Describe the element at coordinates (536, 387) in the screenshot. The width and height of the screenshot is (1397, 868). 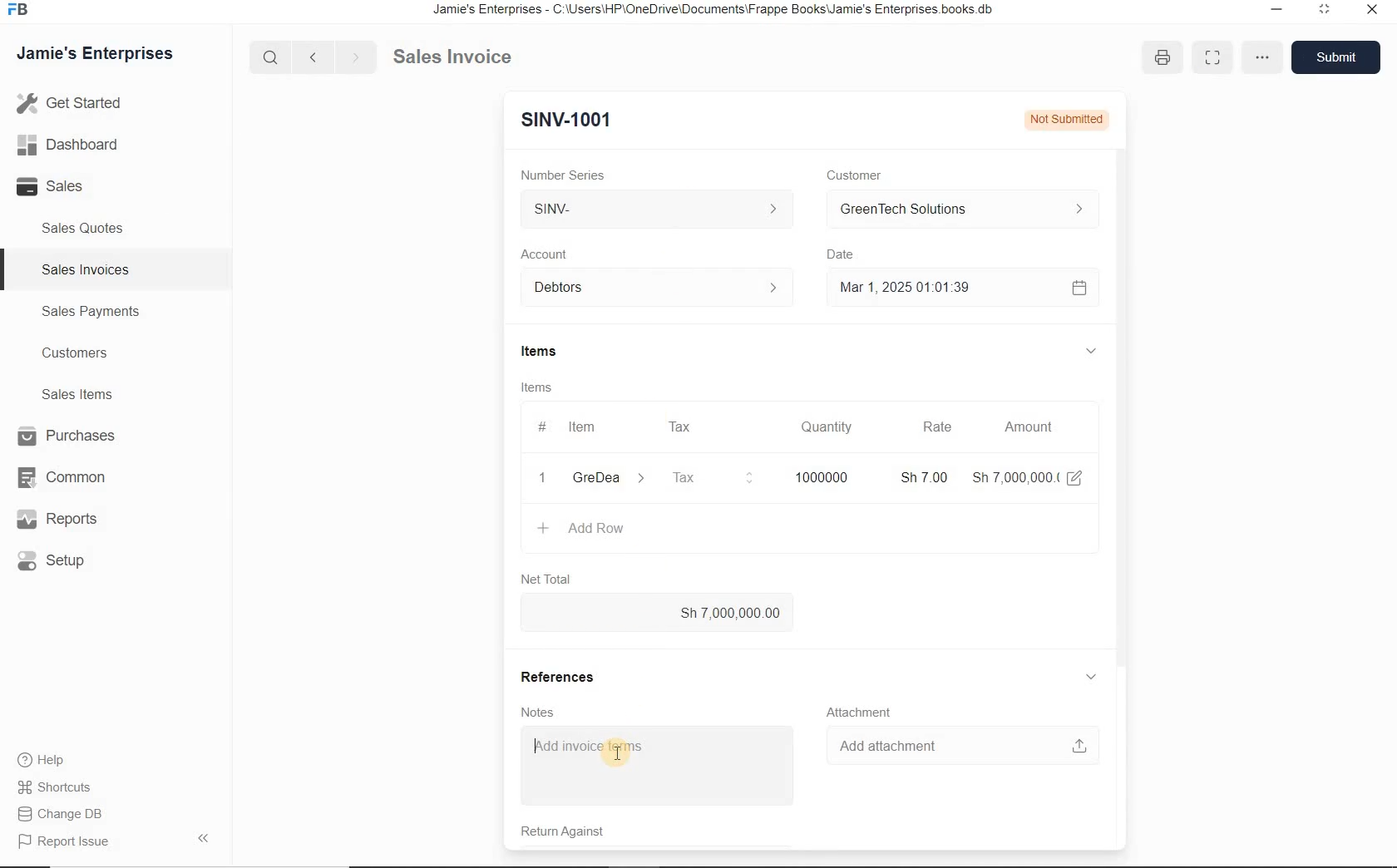
I see `Items.` at that location.